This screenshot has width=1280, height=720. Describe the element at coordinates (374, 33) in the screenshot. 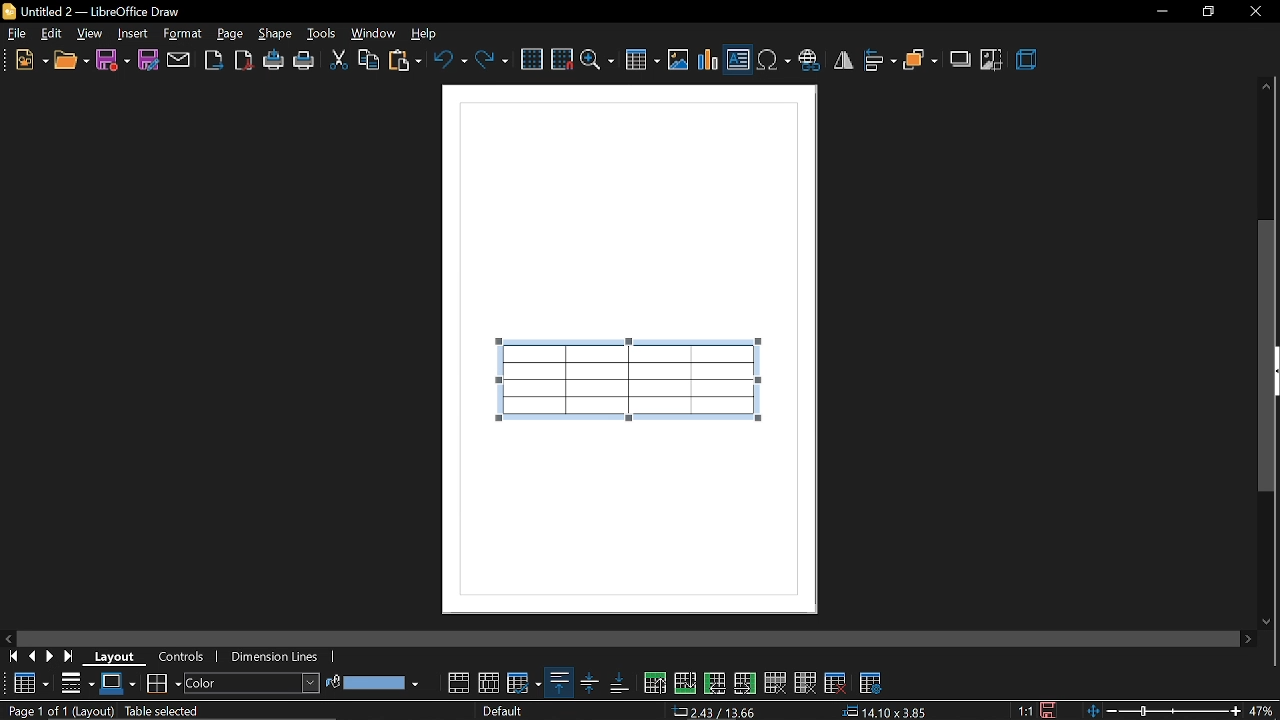

I see `window` at that location.